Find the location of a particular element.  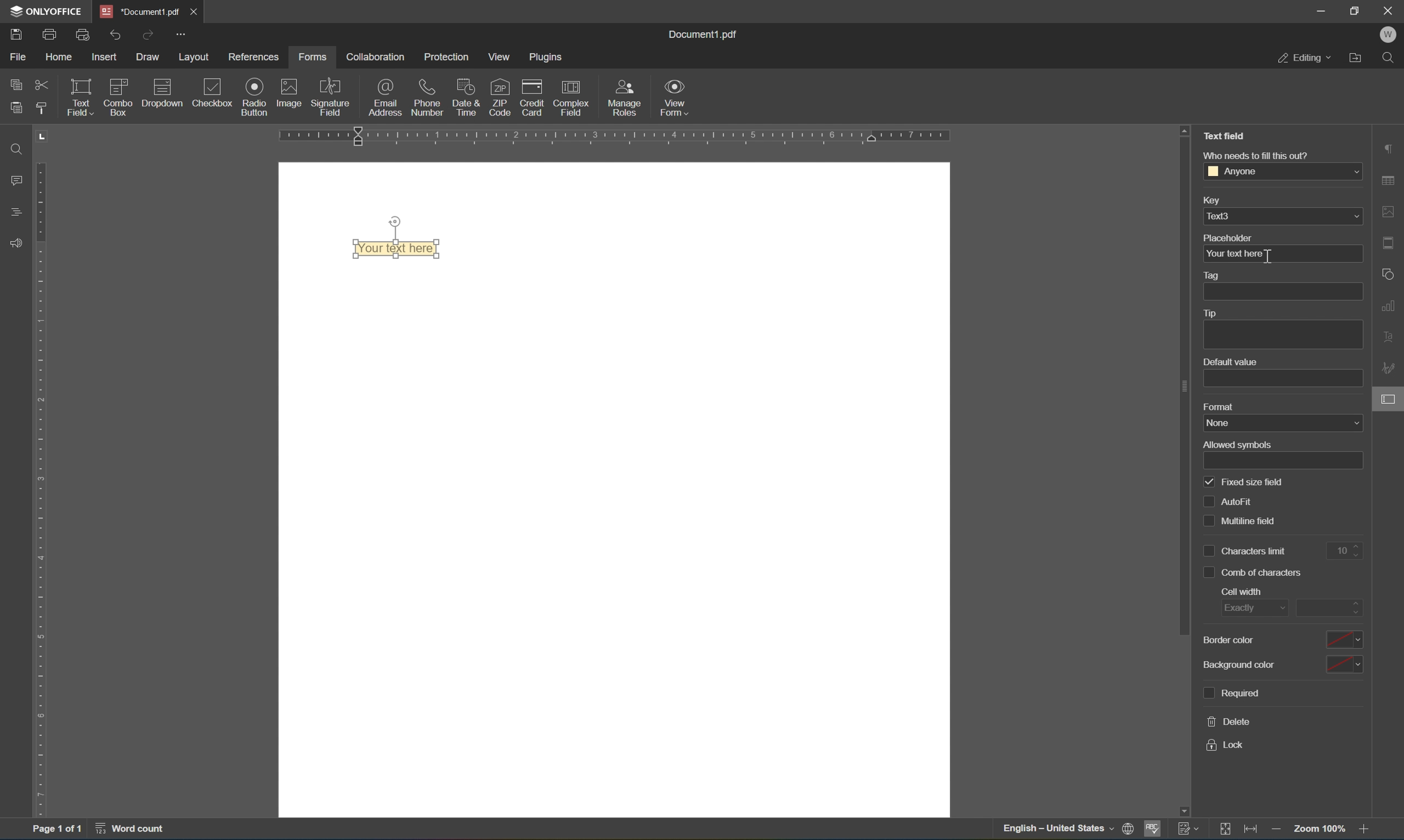

text field is located at coordinates (80, 96).